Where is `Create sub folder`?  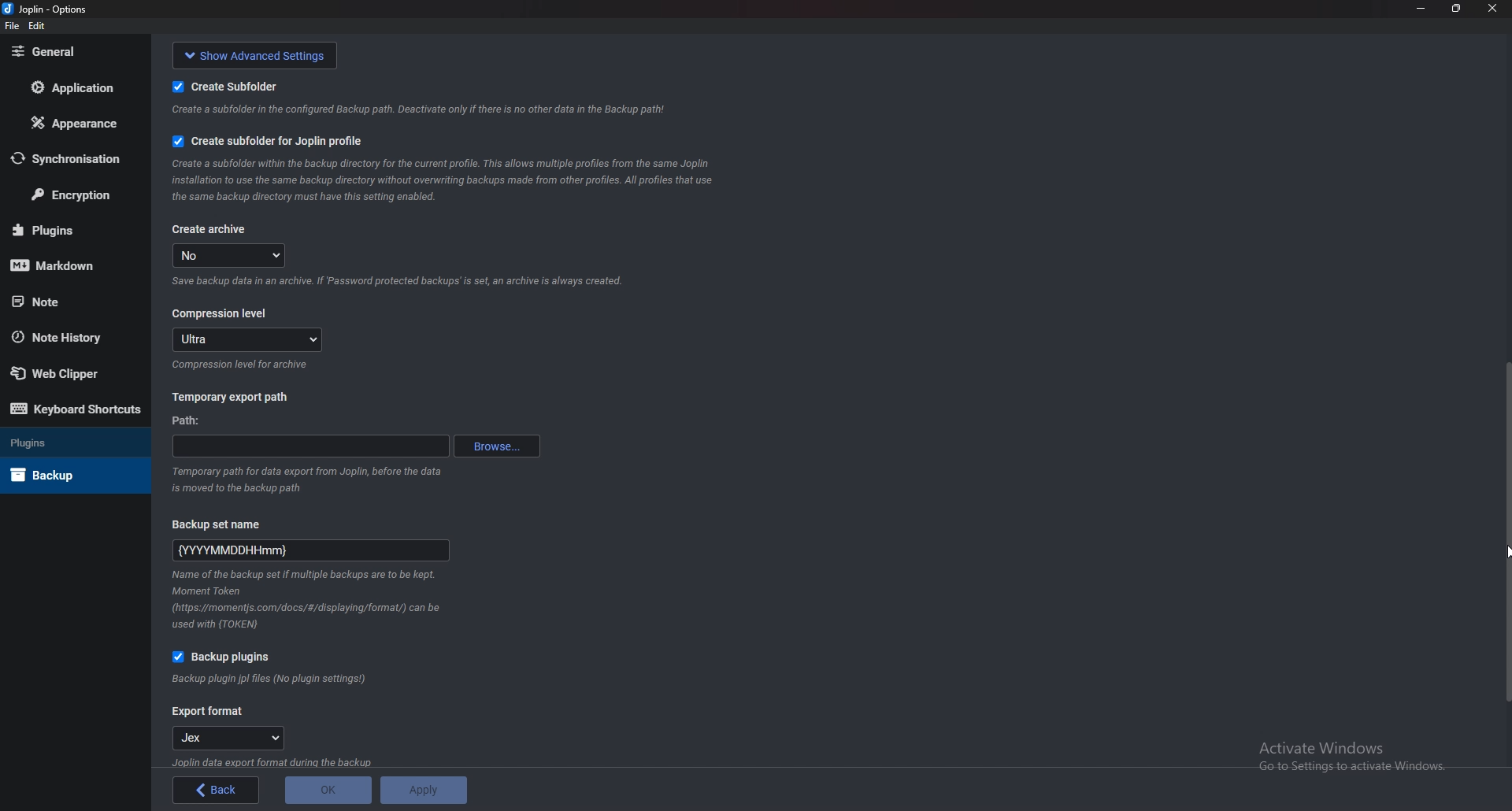 Create sub folder is located at coordinates (229, 88).